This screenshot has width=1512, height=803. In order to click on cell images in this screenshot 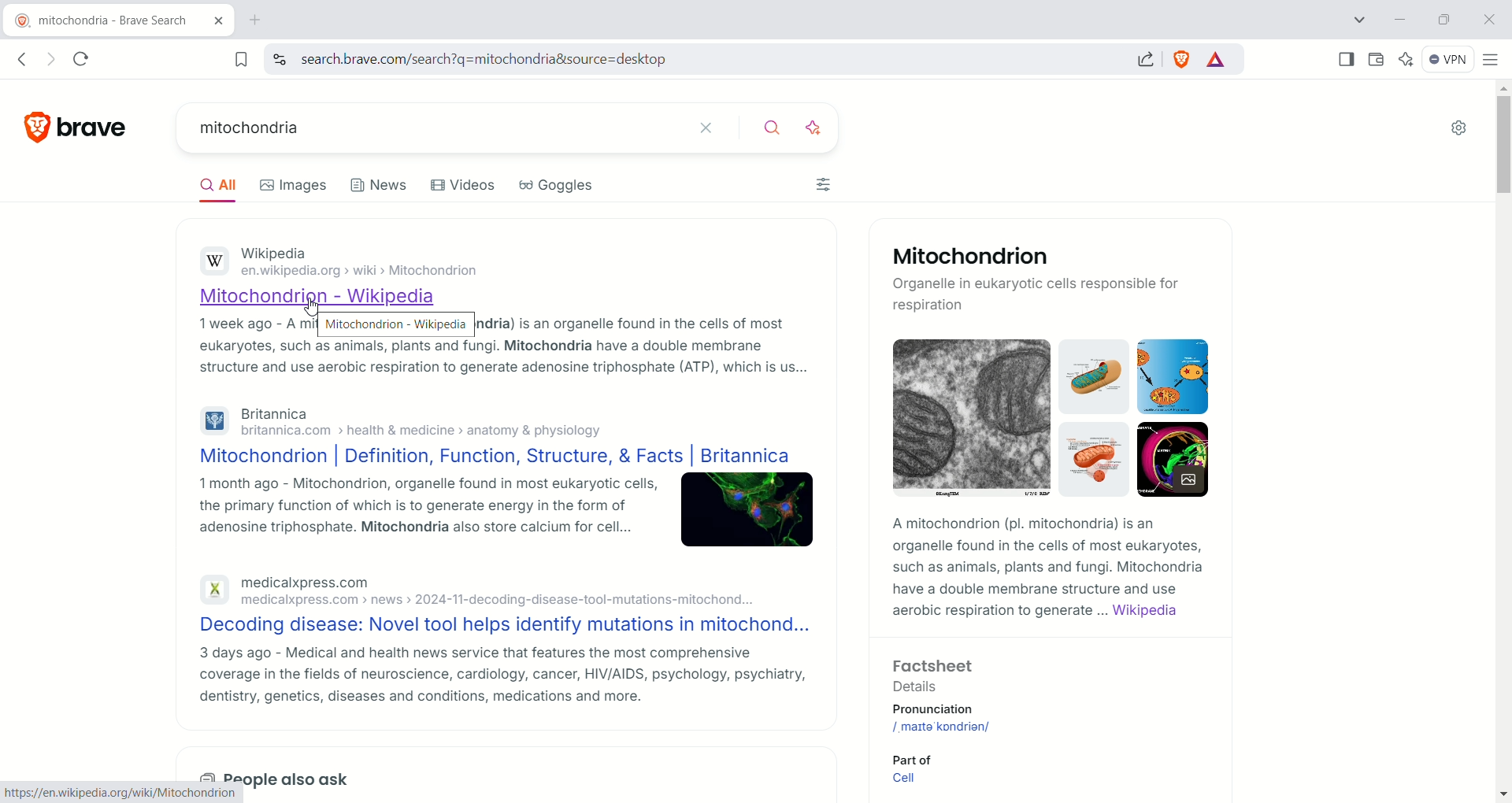, I will do `click(1048, 418)`.